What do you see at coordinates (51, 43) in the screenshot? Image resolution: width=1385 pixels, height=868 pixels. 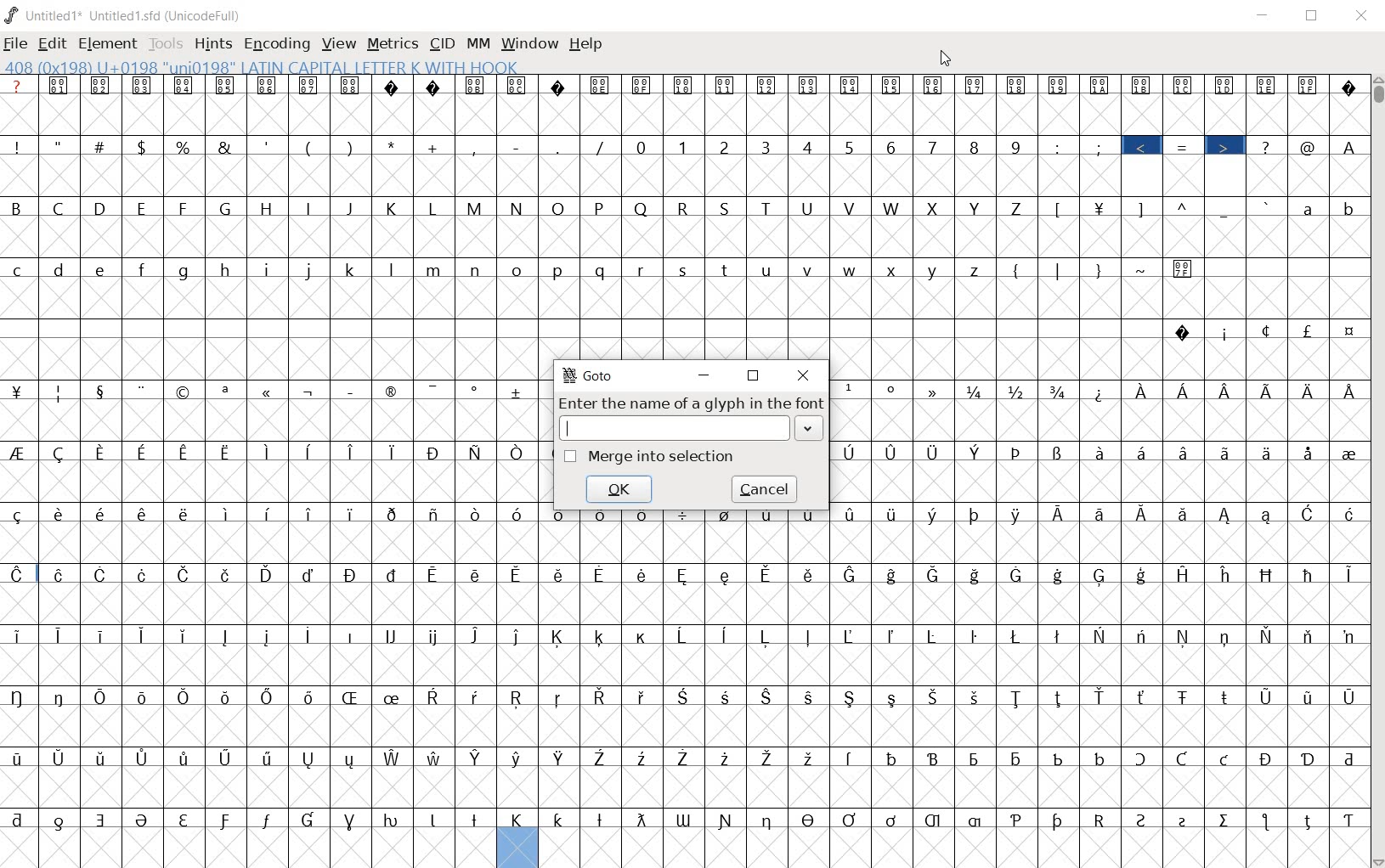 I see `edit` at bounding box center [51, 43].